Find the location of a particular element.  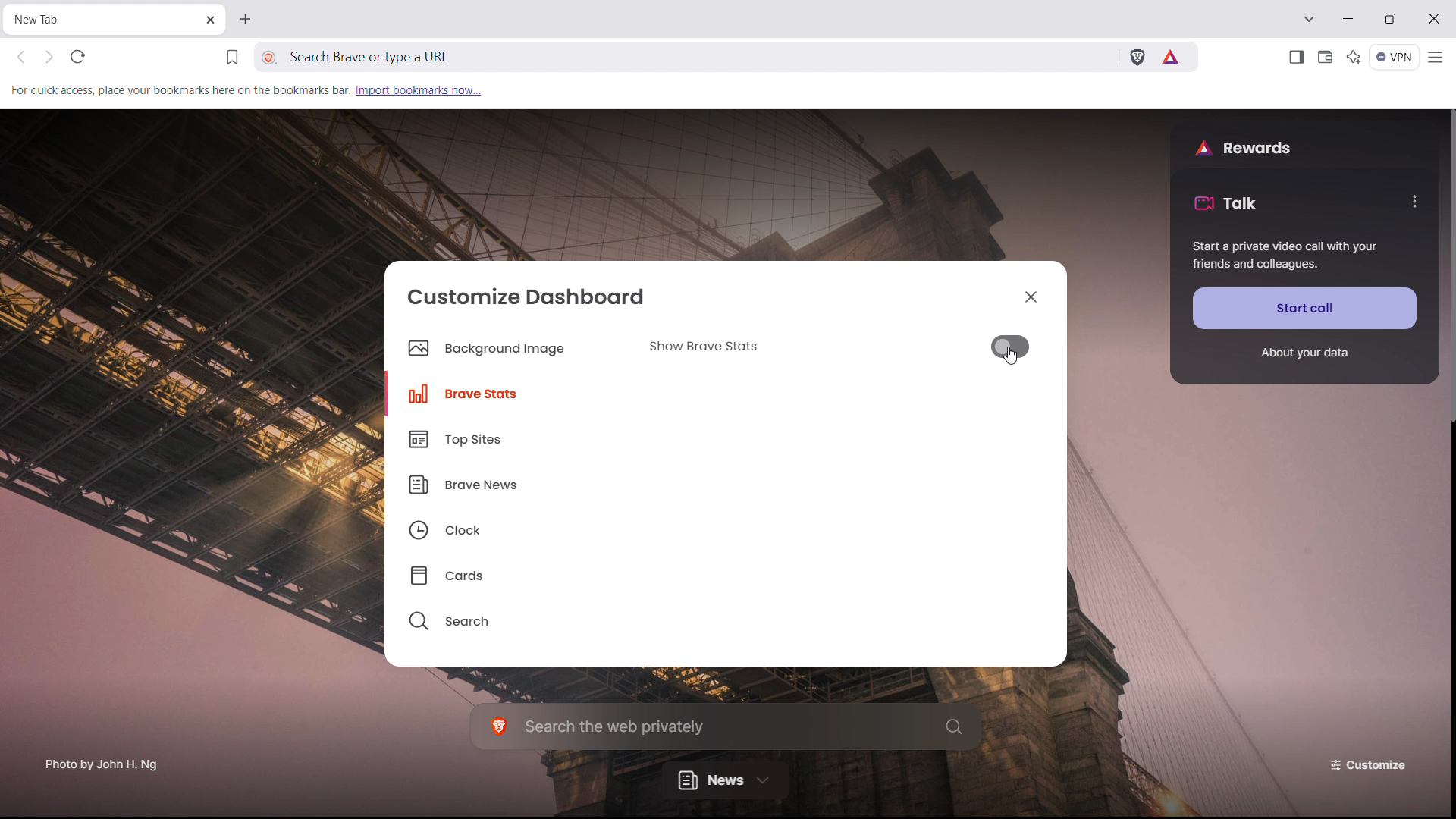

customize dashboard is located at coordinates (527, 296).